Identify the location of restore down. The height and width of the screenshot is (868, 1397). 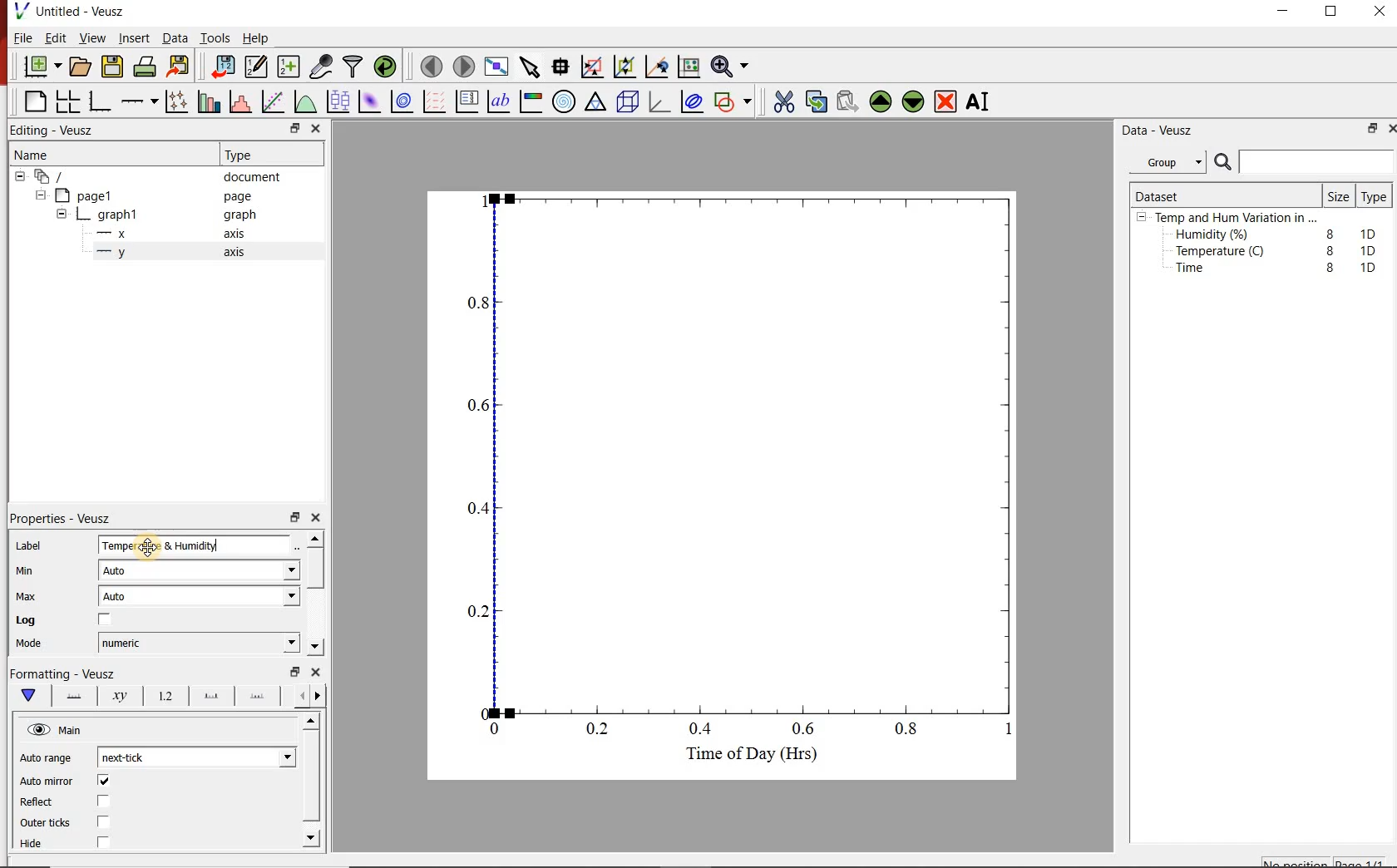
(284, 128).